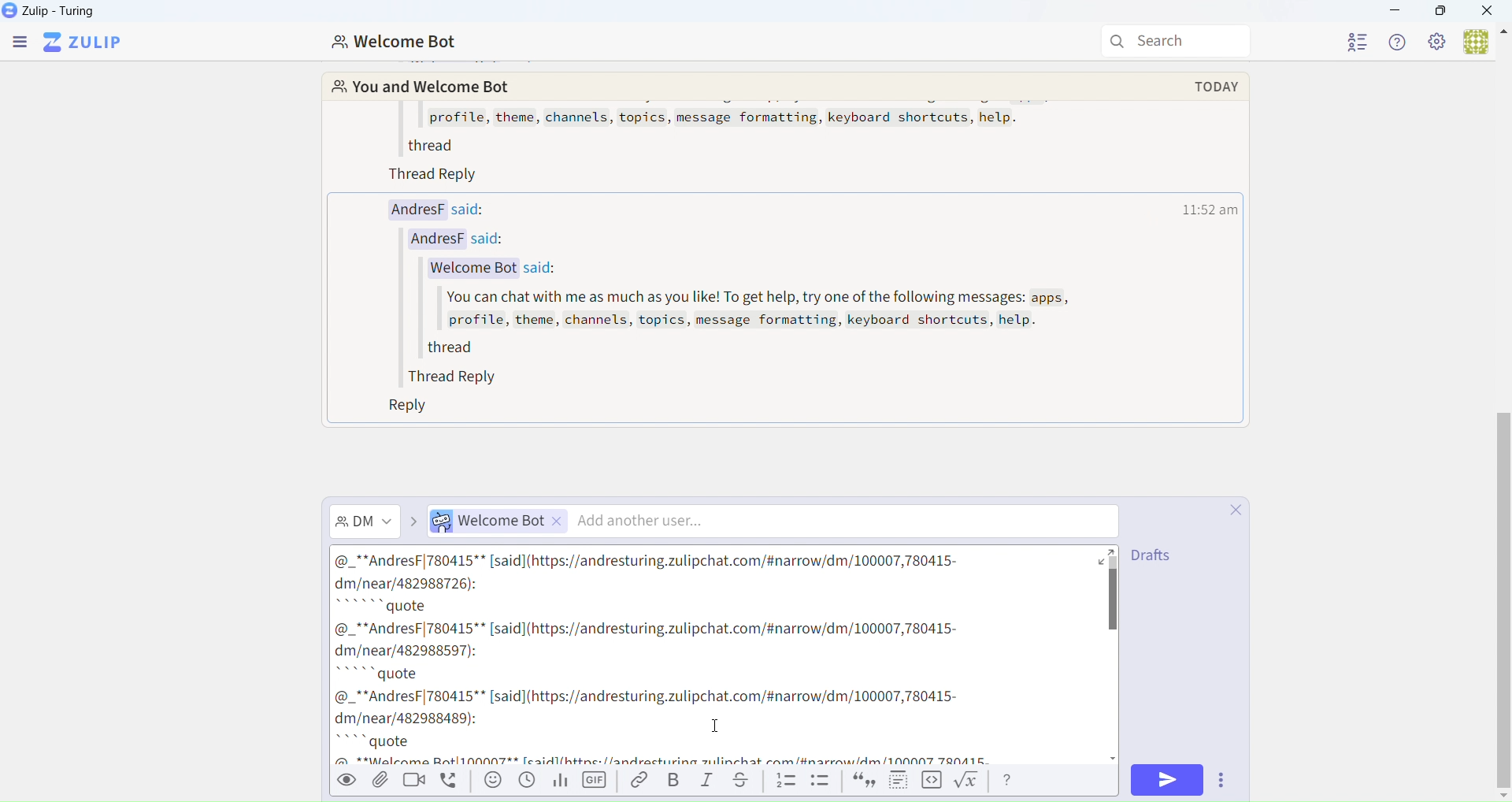 This screenshot has height=802, width=1512. Describe the element at coordinates (440, 177) in the screenshot. I see `Thread Reply` at that location.